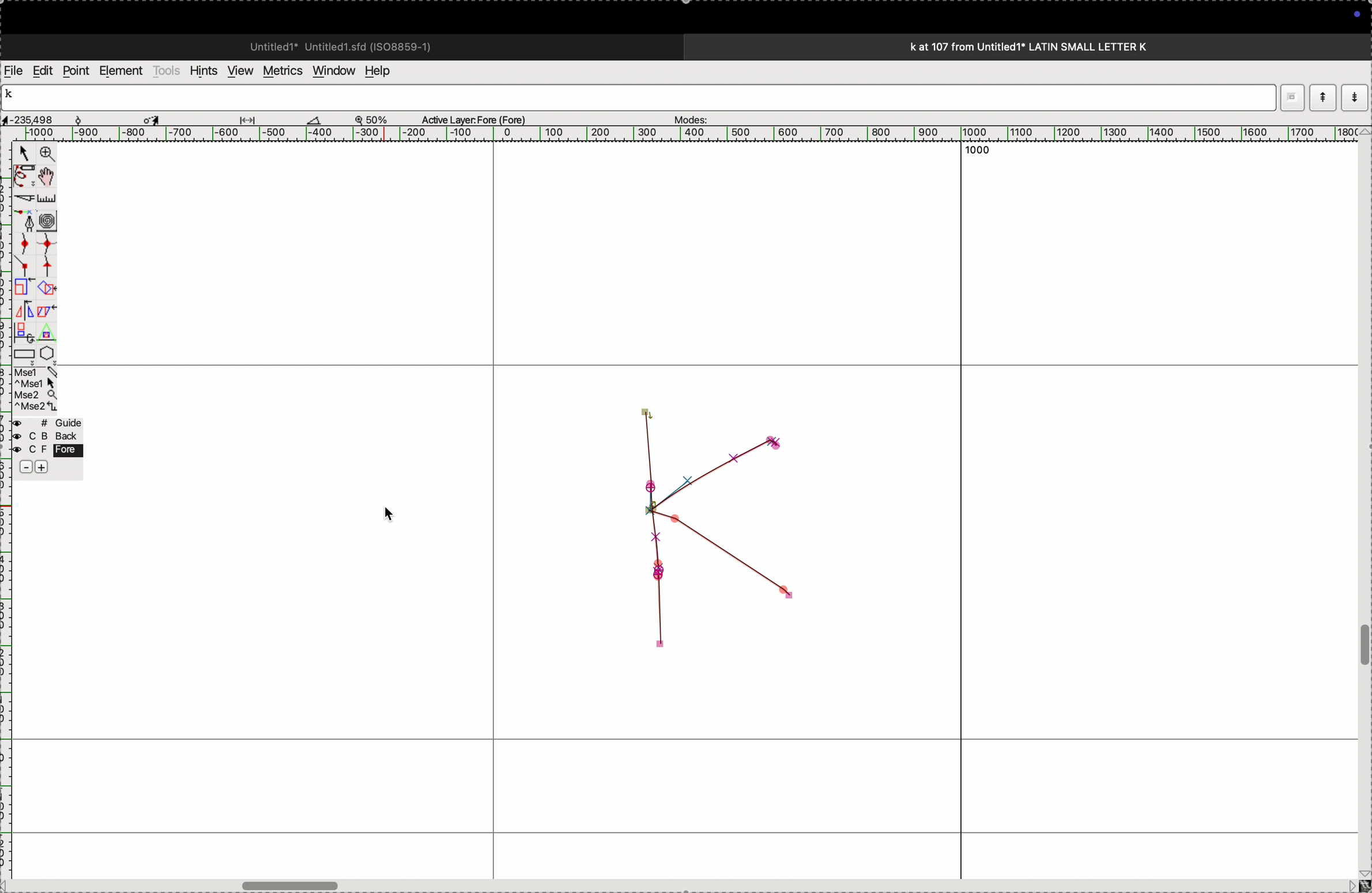 Image resolution: width=1372 pixels, height=893 pixels. I want to click on cursor, so click(154, 118).